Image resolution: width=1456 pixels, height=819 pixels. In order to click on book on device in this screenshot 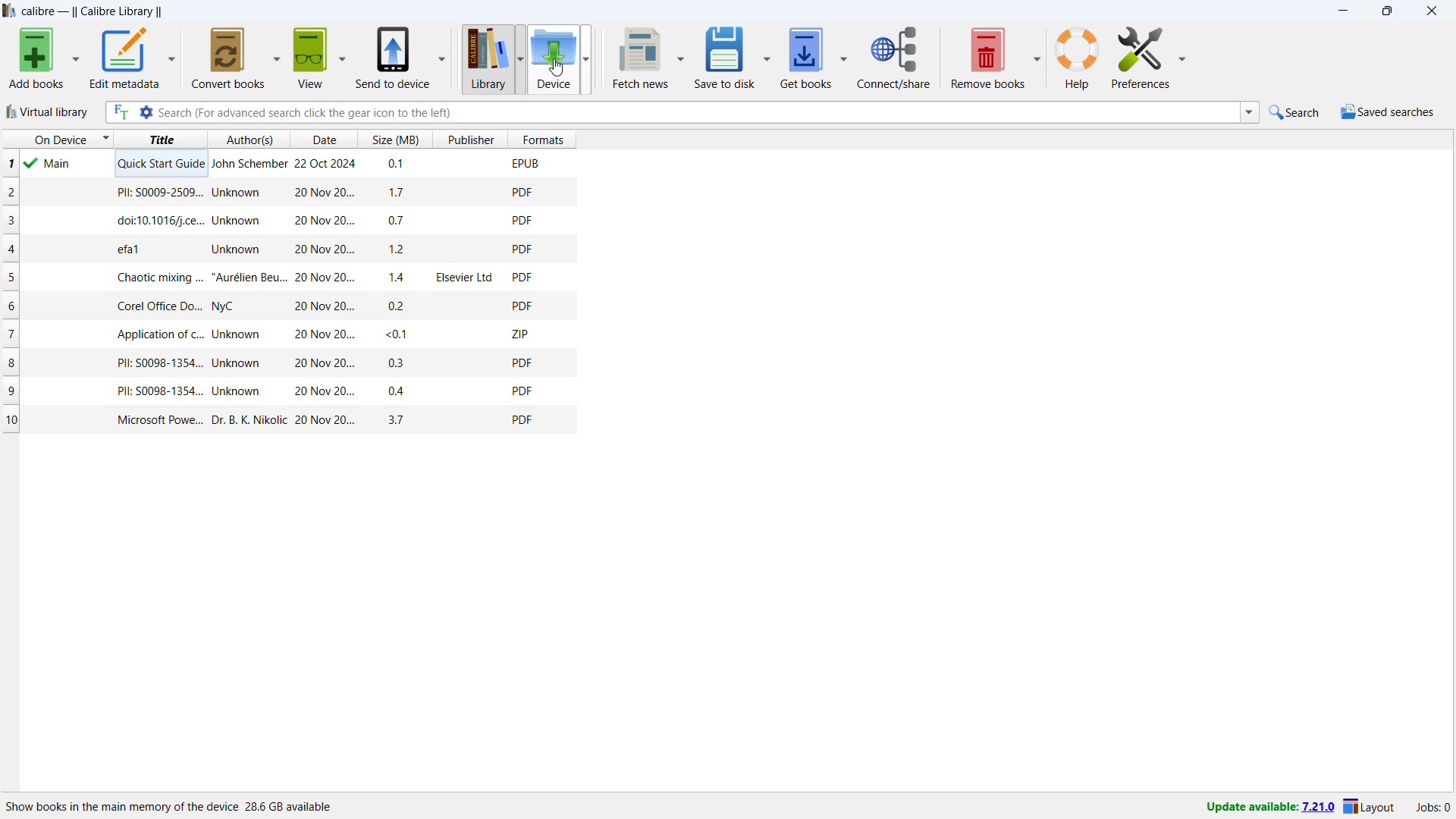, I will do `click(57, 165)`.